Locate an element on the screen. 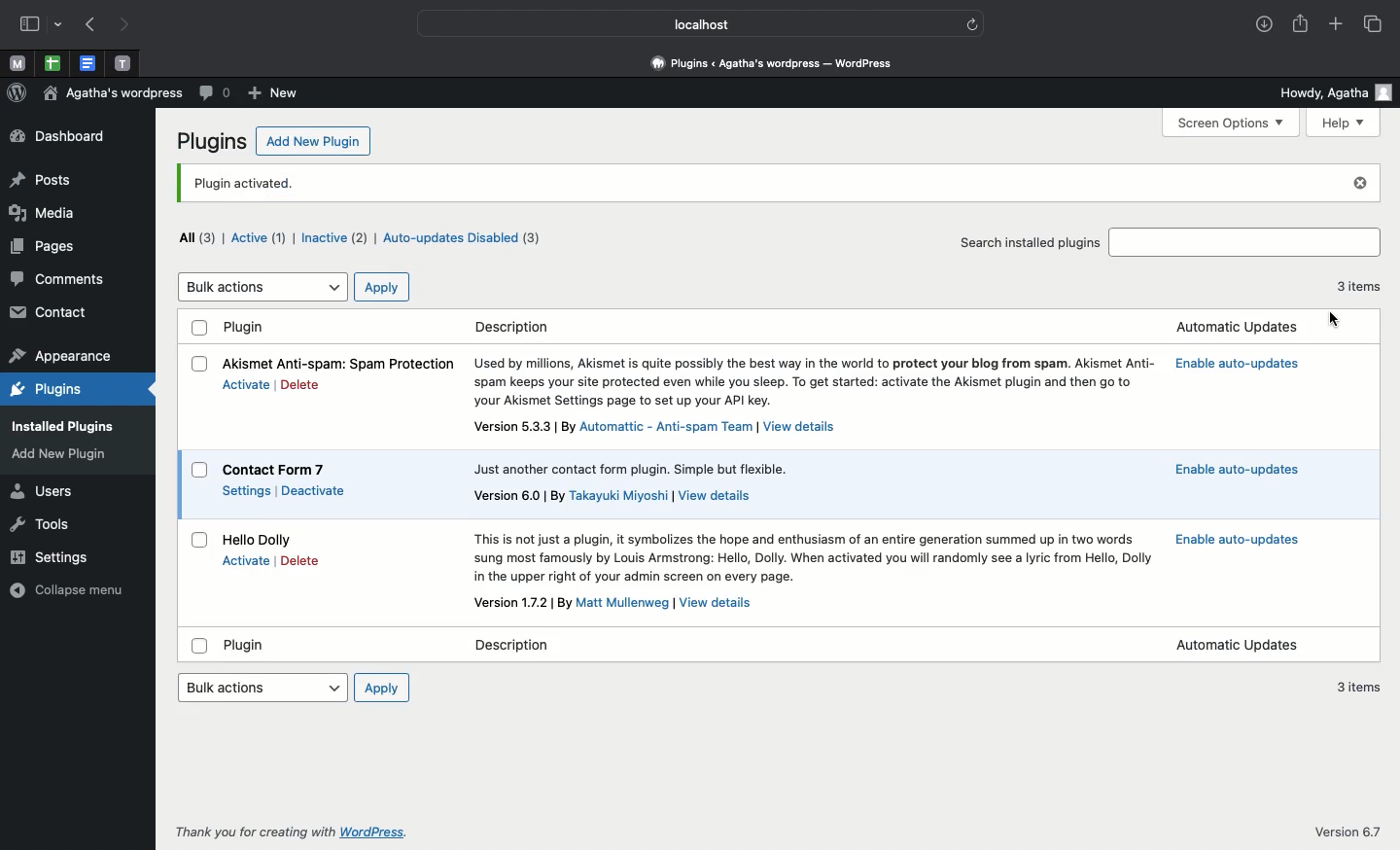  Delete is located at coordinates (298, 559).